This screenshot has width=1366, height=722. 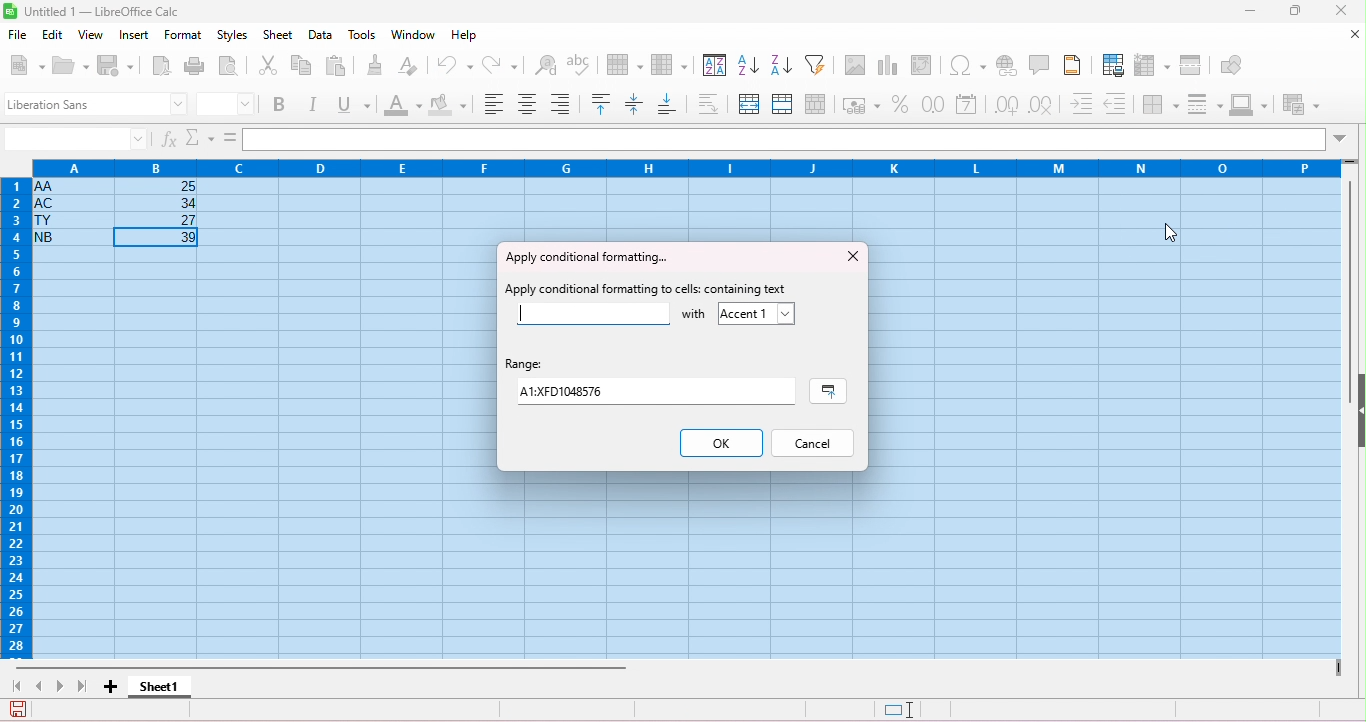 What do you see at coordinates (524, 316) in the screenshot?
I see `typing cursor` at bounding box center [524, 316].